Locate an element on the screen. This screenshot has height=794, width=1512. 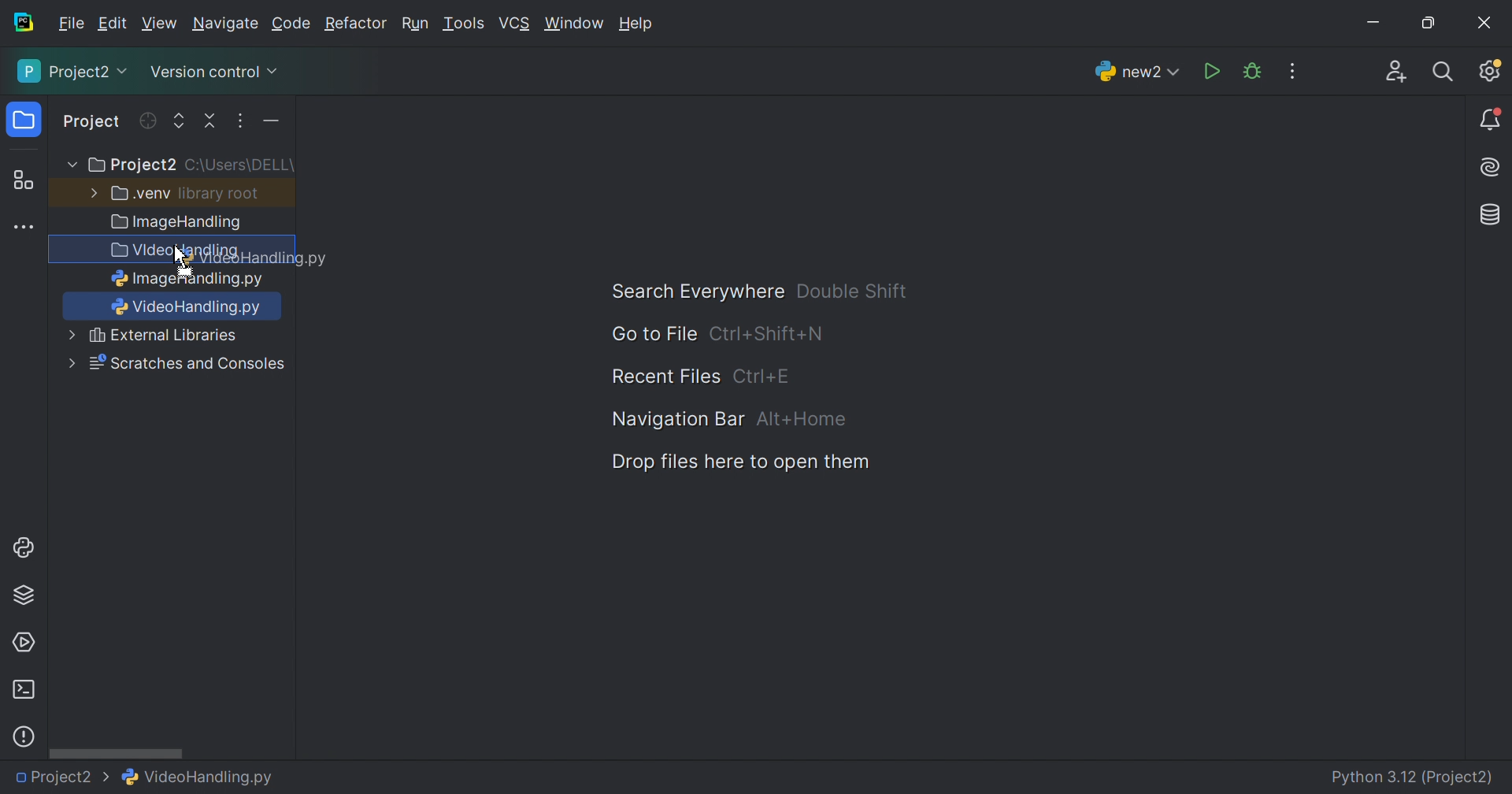
Close is located at coordinates (1484, 23).